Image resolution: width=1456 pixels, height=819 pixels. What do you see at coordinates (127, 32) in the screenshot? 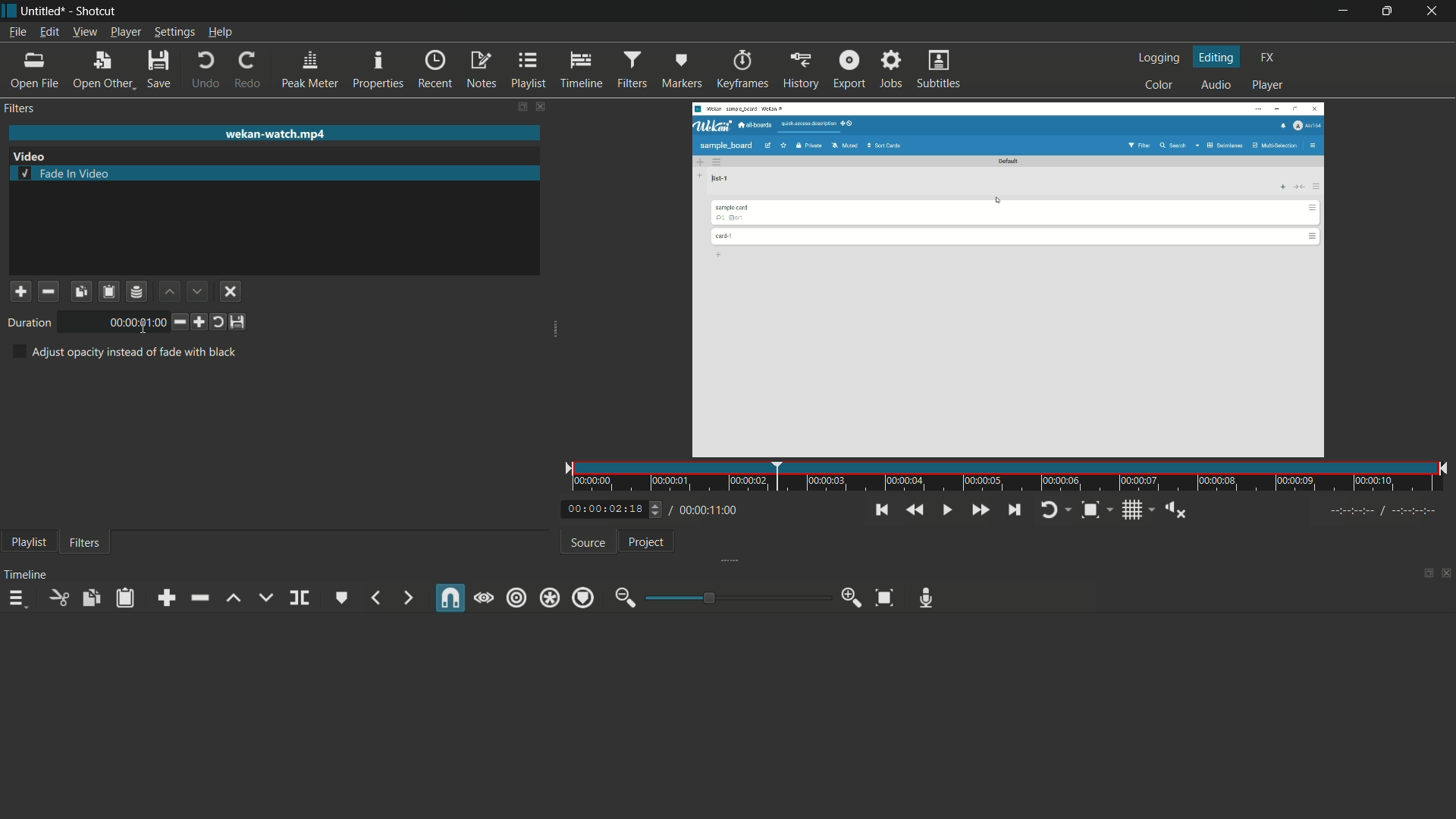
I see `player menu` at bounding box center [127, 32].